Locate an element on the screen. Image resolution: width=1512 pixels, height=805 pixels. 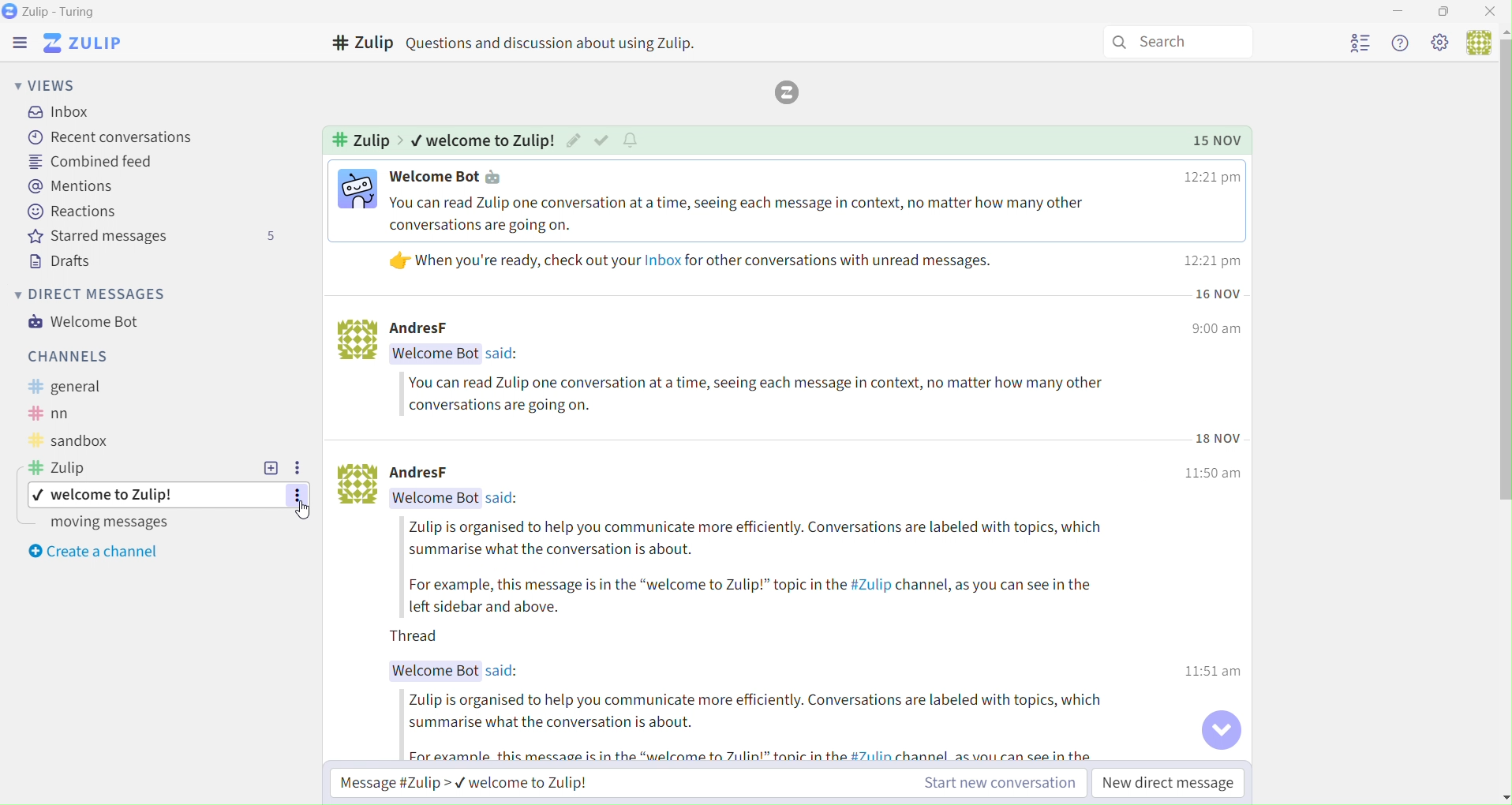
Indicates pathway is located at coordinates (402, 140).